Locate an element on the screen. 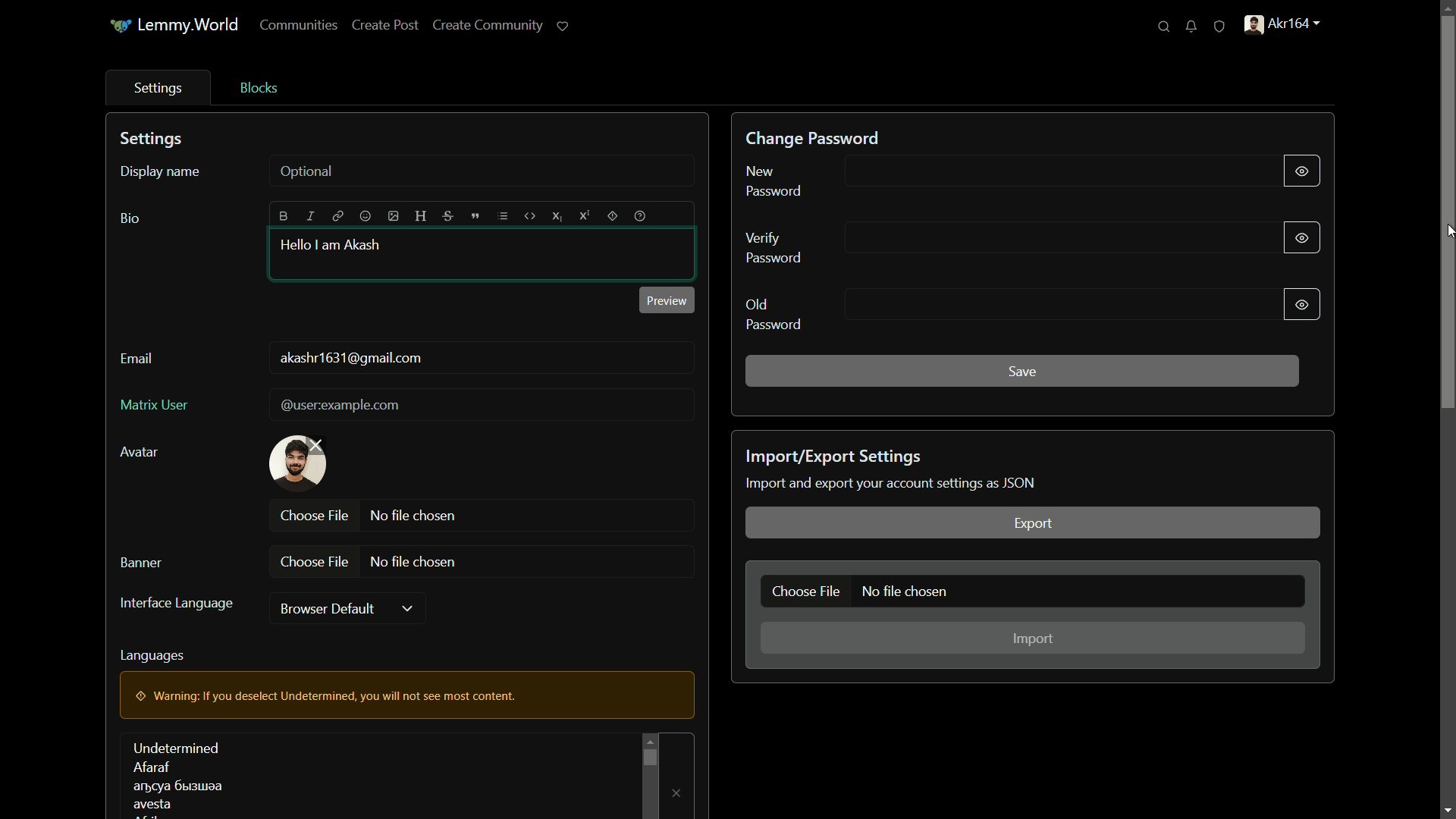  profile picture is located at coordinates (300, 463).